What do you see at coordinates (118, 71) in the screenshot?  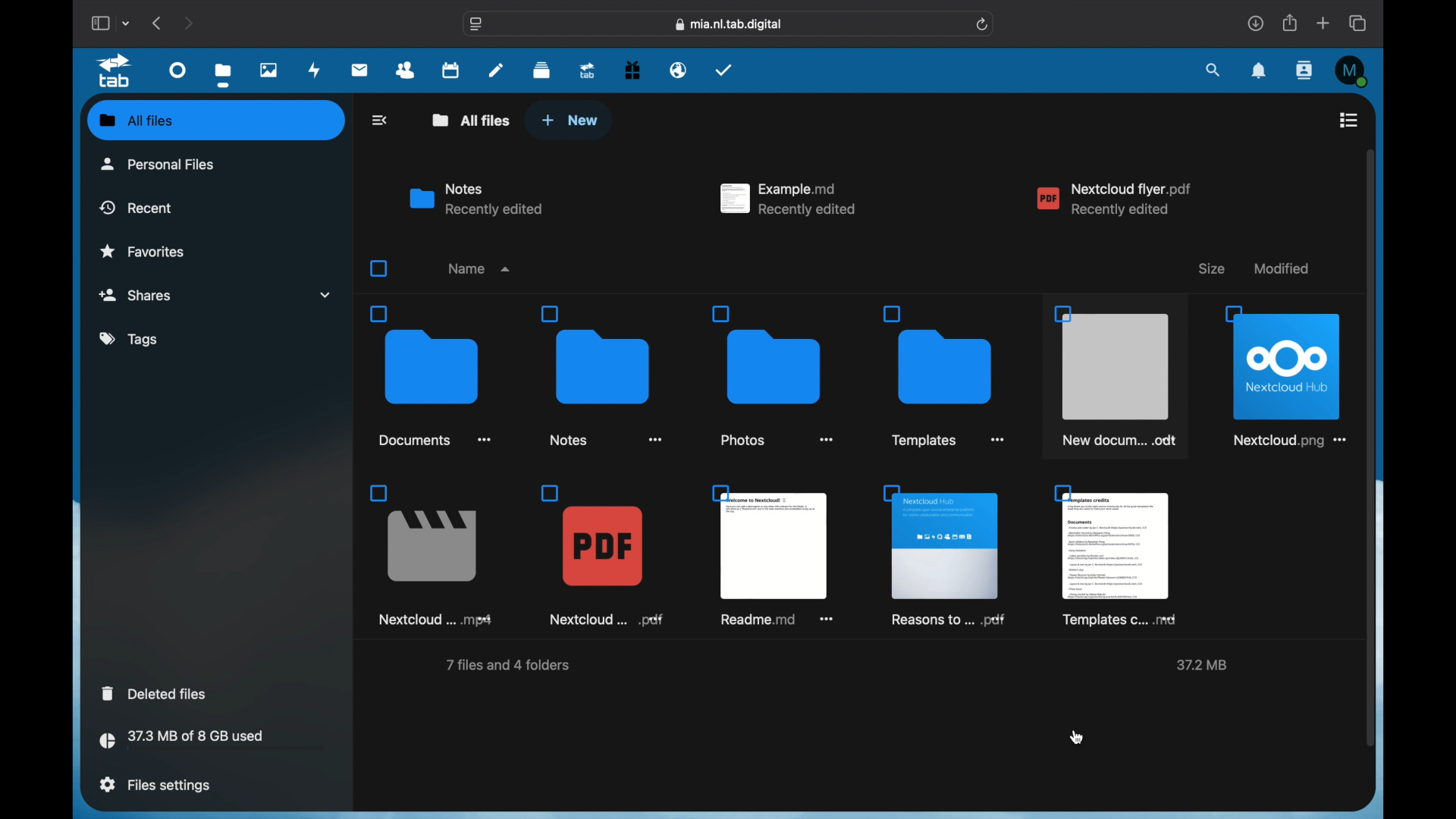 I see `tab` at bounding box center [118, 71].